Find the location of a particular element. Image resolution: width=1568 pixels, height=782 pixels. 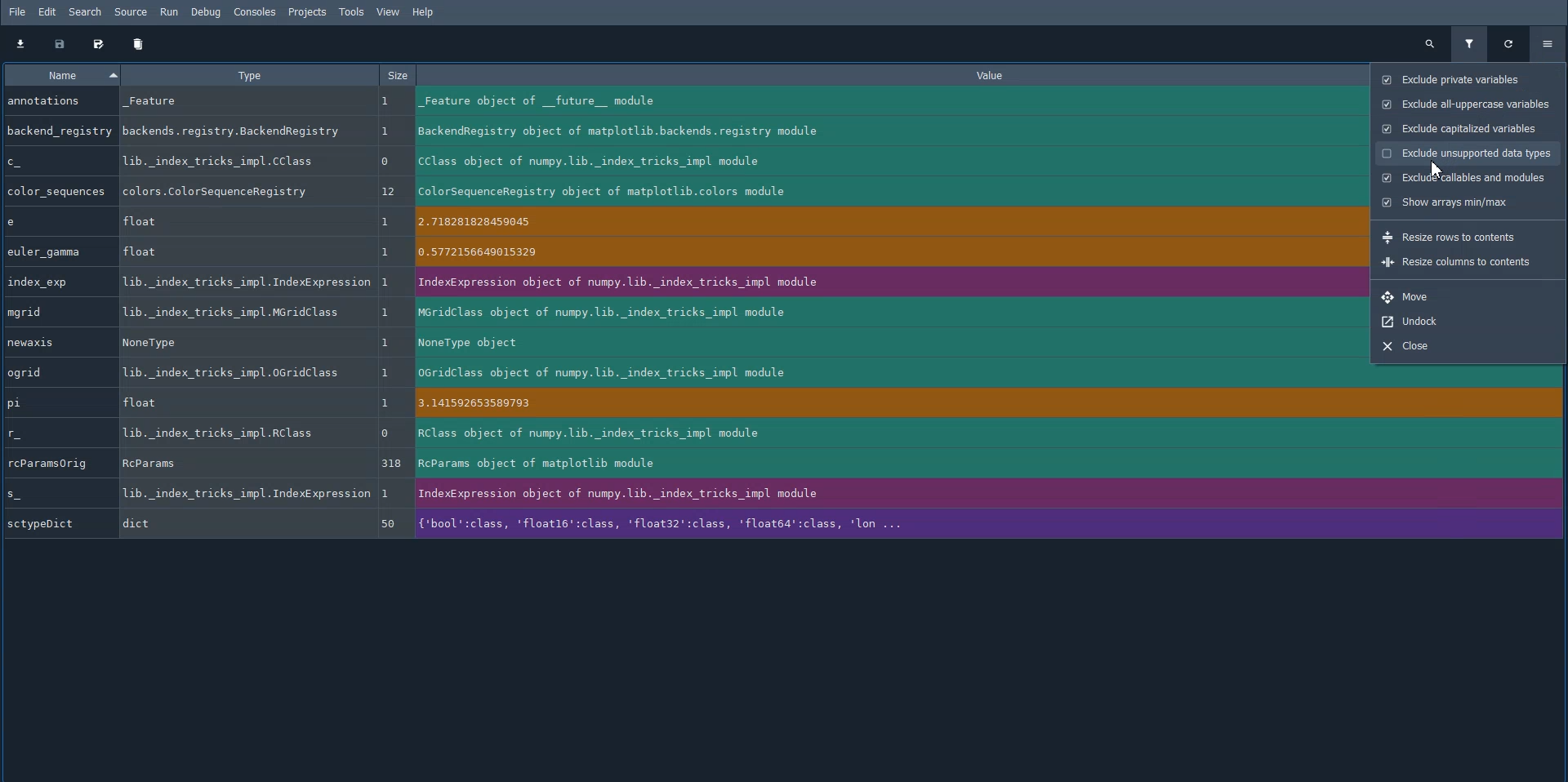

1 is located at coordinates (392, 223).